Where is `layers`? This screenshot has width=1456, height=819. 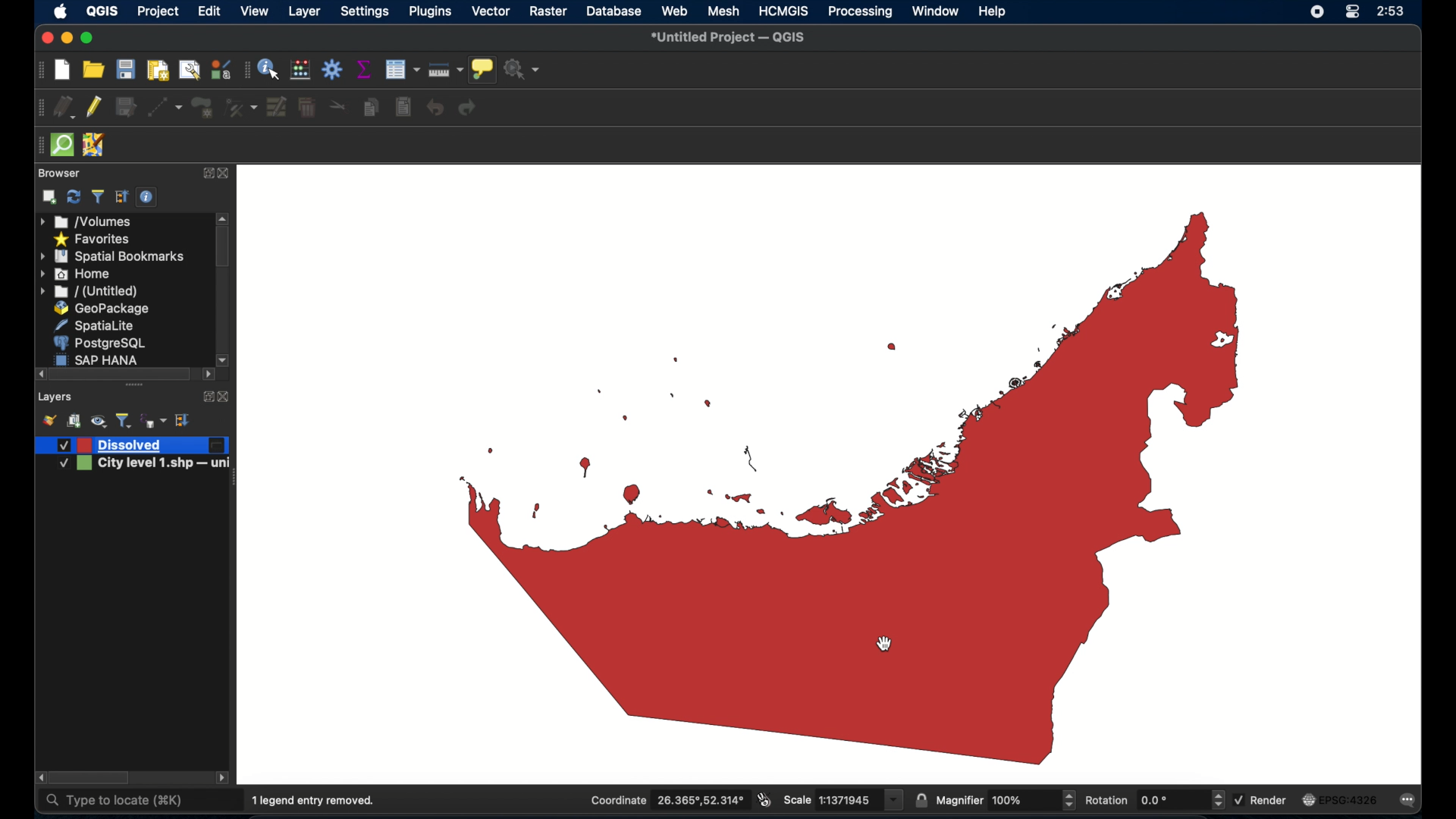
layers is located at coordinates (55, 397).